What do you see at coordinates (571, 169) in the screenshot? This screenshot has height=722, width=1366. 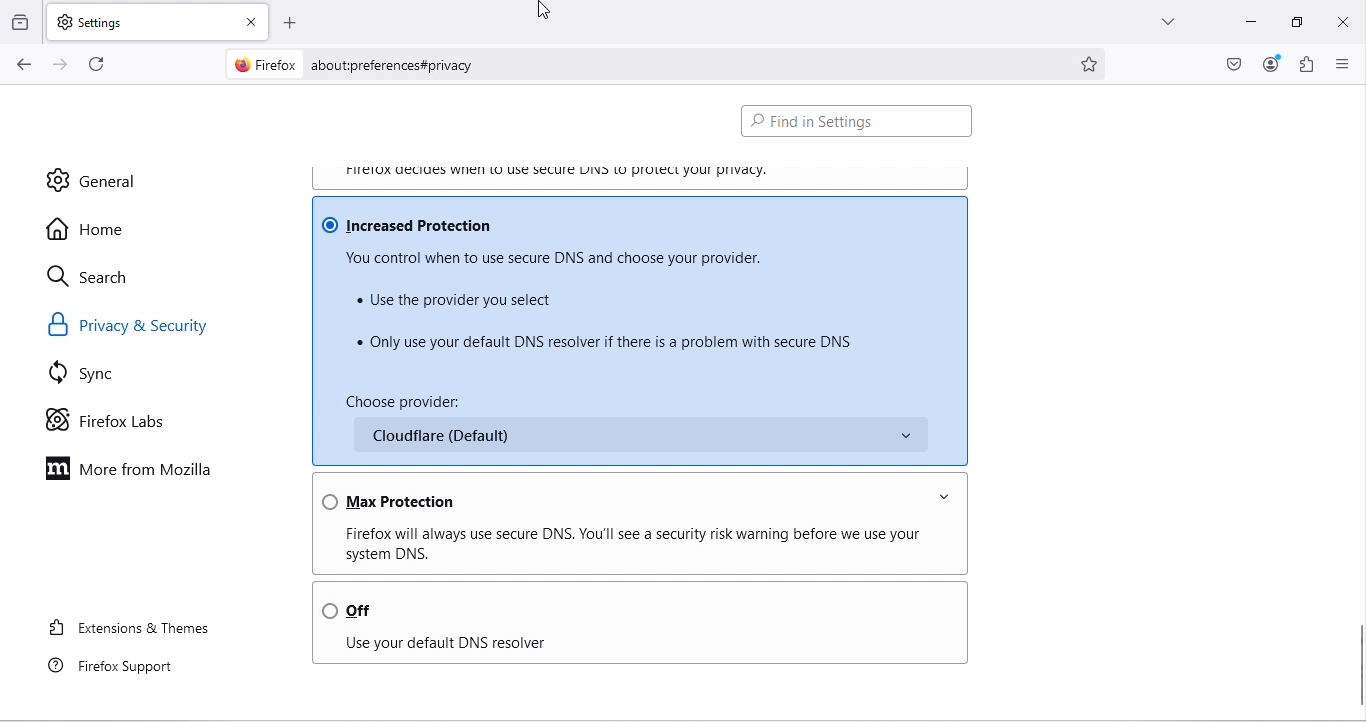 I see `FIEIUX UELIUES WIEN LO USE SECUTE UIND LO PIOLECL Your privacy.` at bounding box center [571, 169].